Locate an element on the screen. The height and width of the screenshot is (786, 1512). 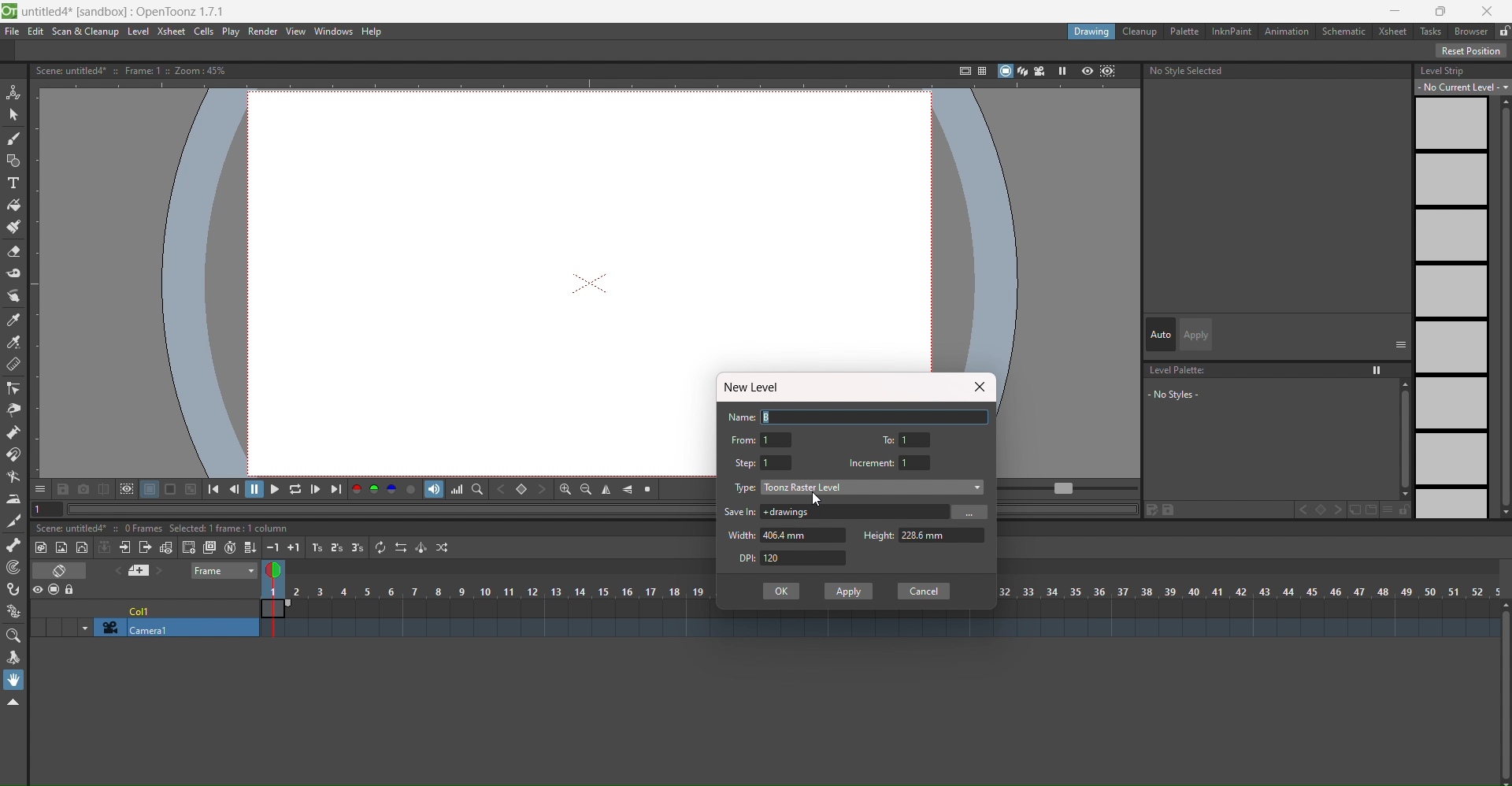
 is located at coordinates (648, 490).